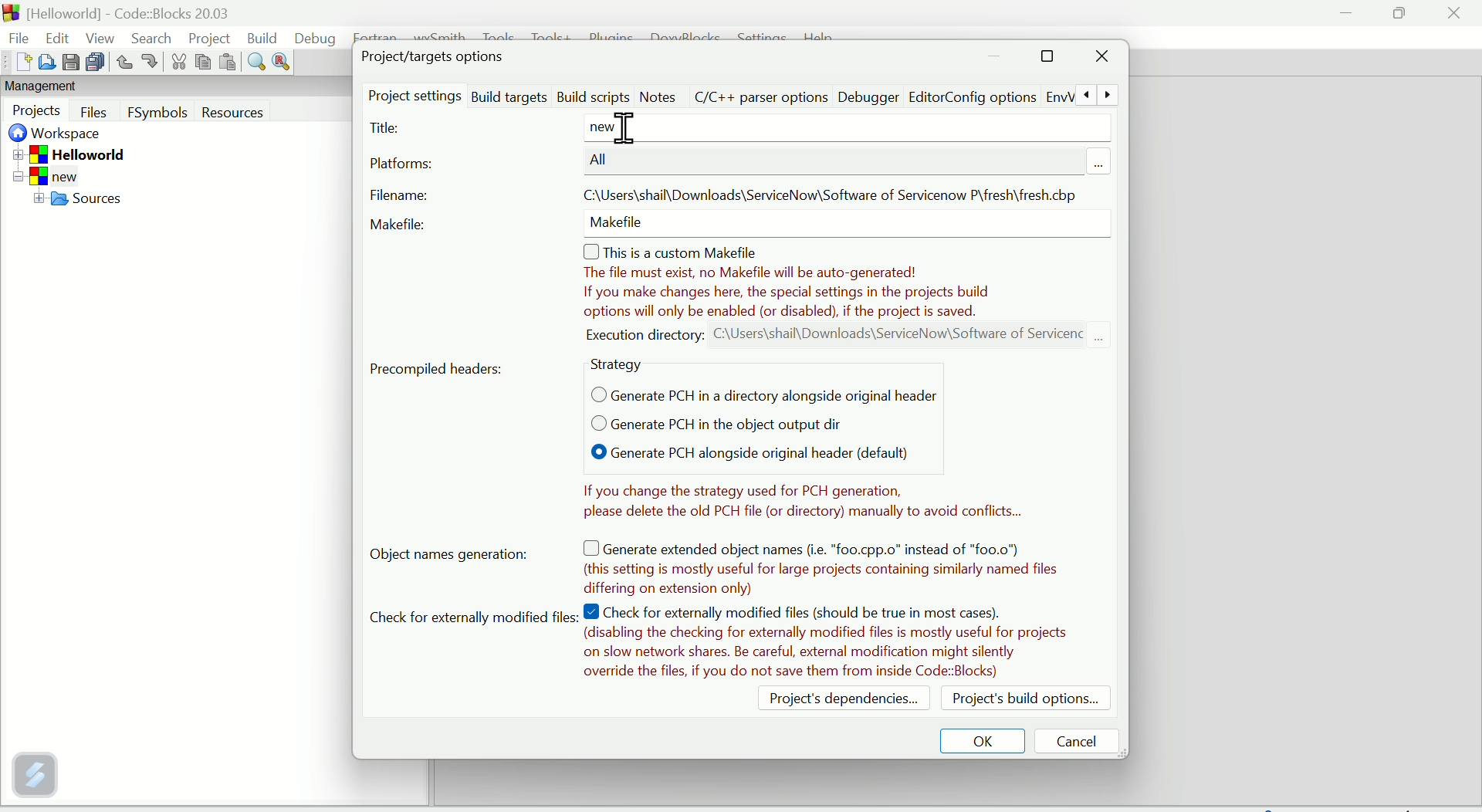  I want to click on Note, so click(846, 292).